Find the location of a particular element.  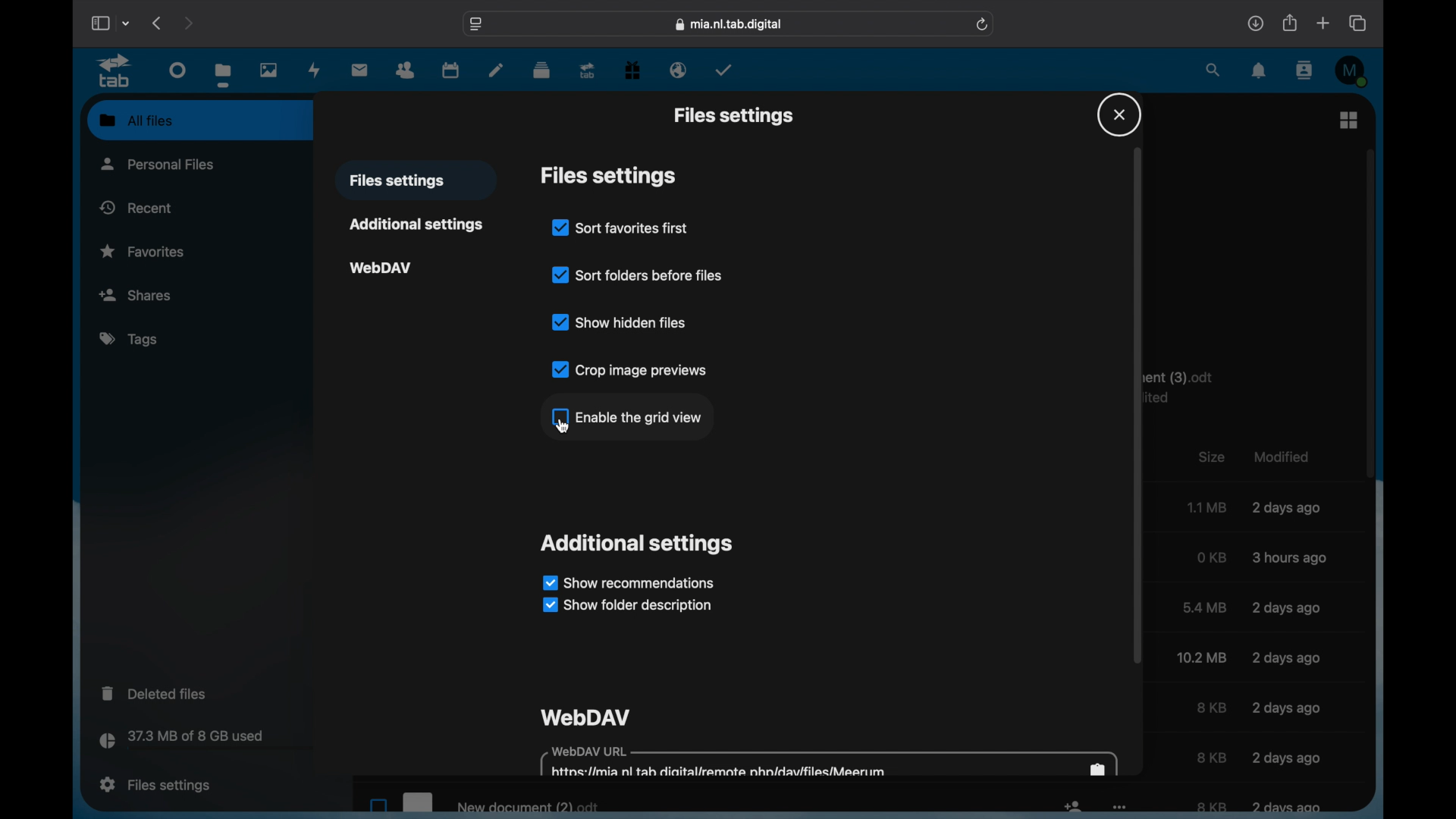

show tab overview is located at coordinates (1359, 24).